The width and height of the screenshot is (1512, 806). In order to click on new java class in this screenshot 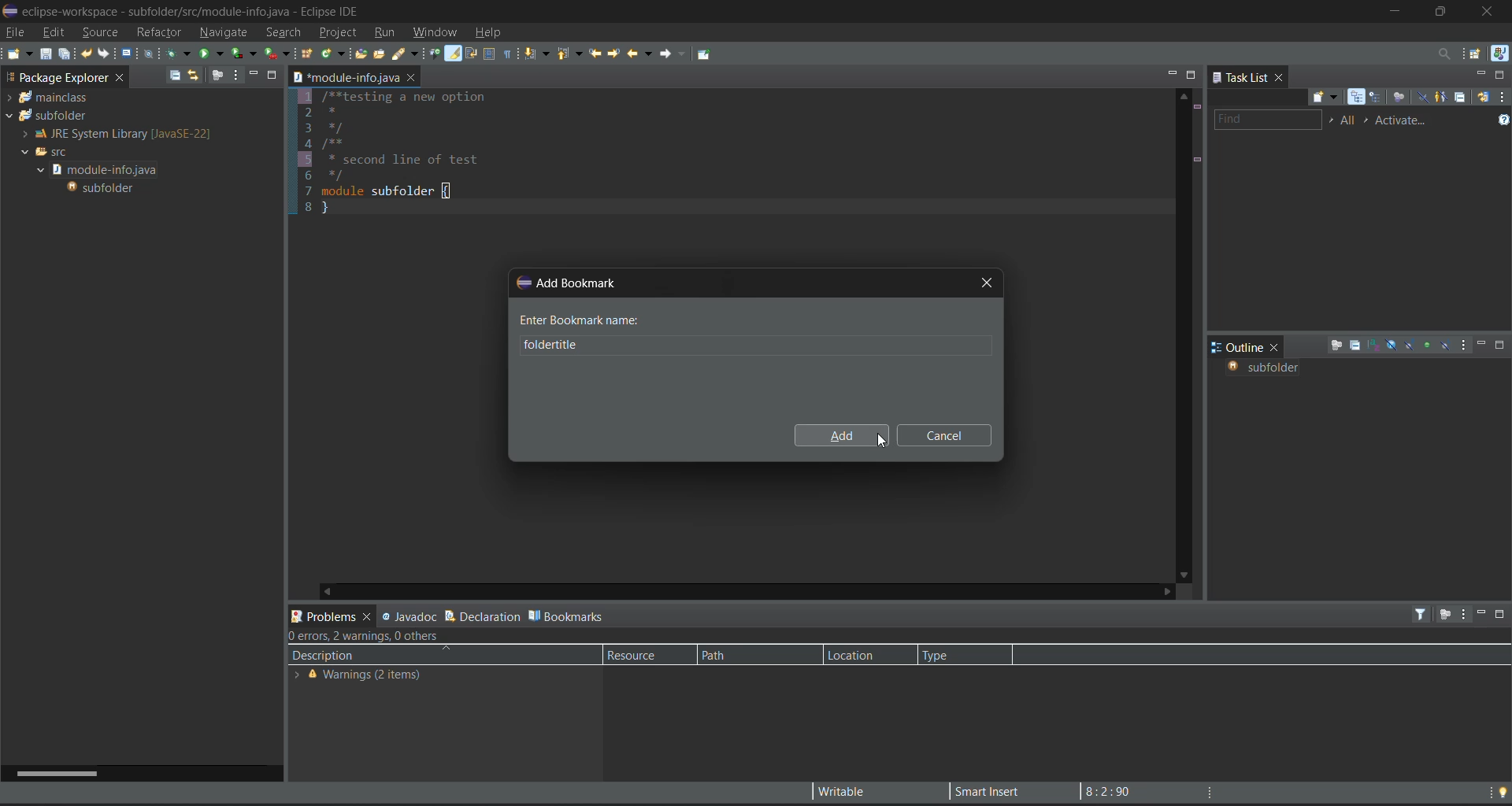, I will do `click(333, 53)`.